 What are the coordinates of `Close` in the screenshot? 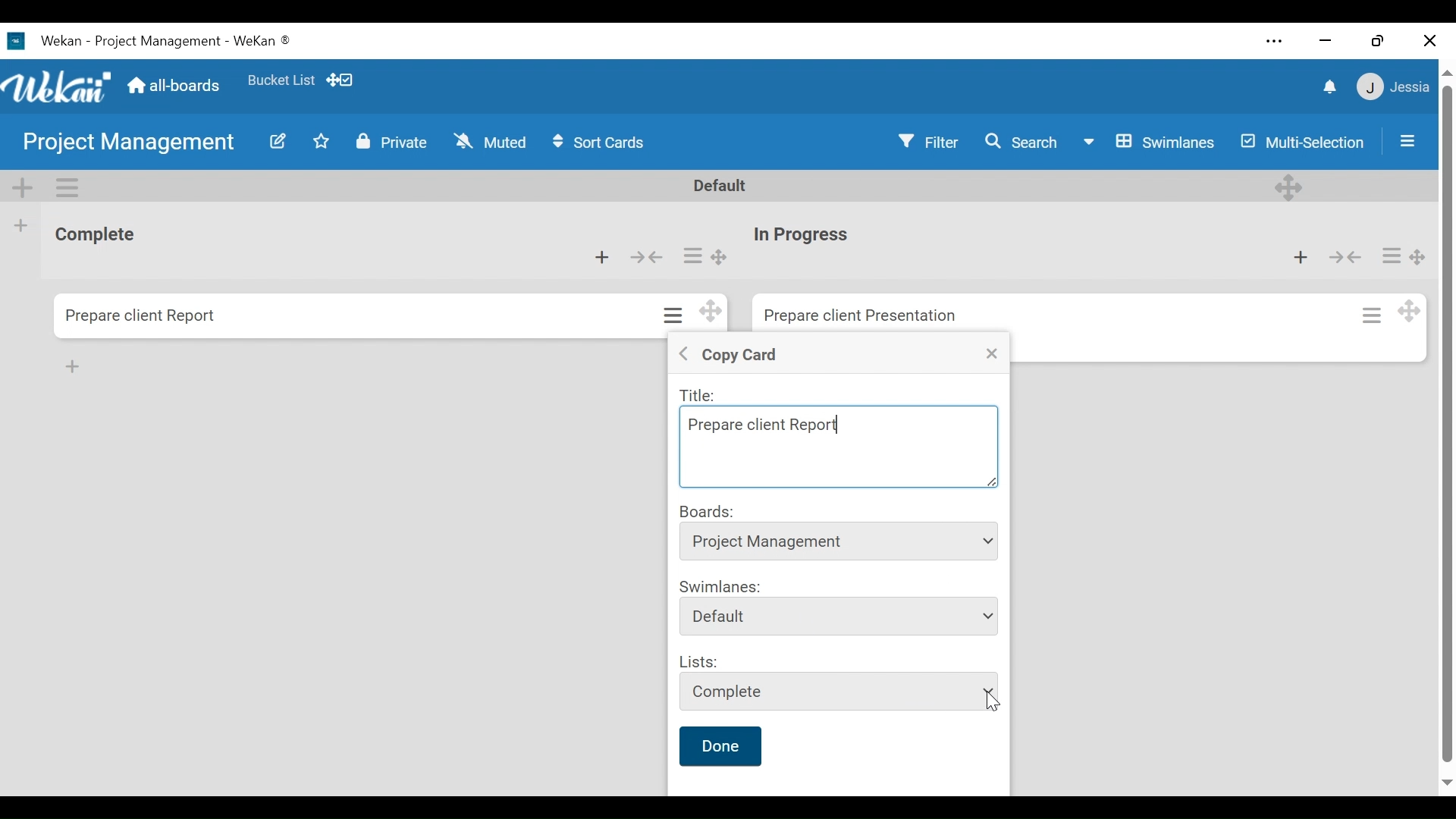 It's located at (1432, 39).